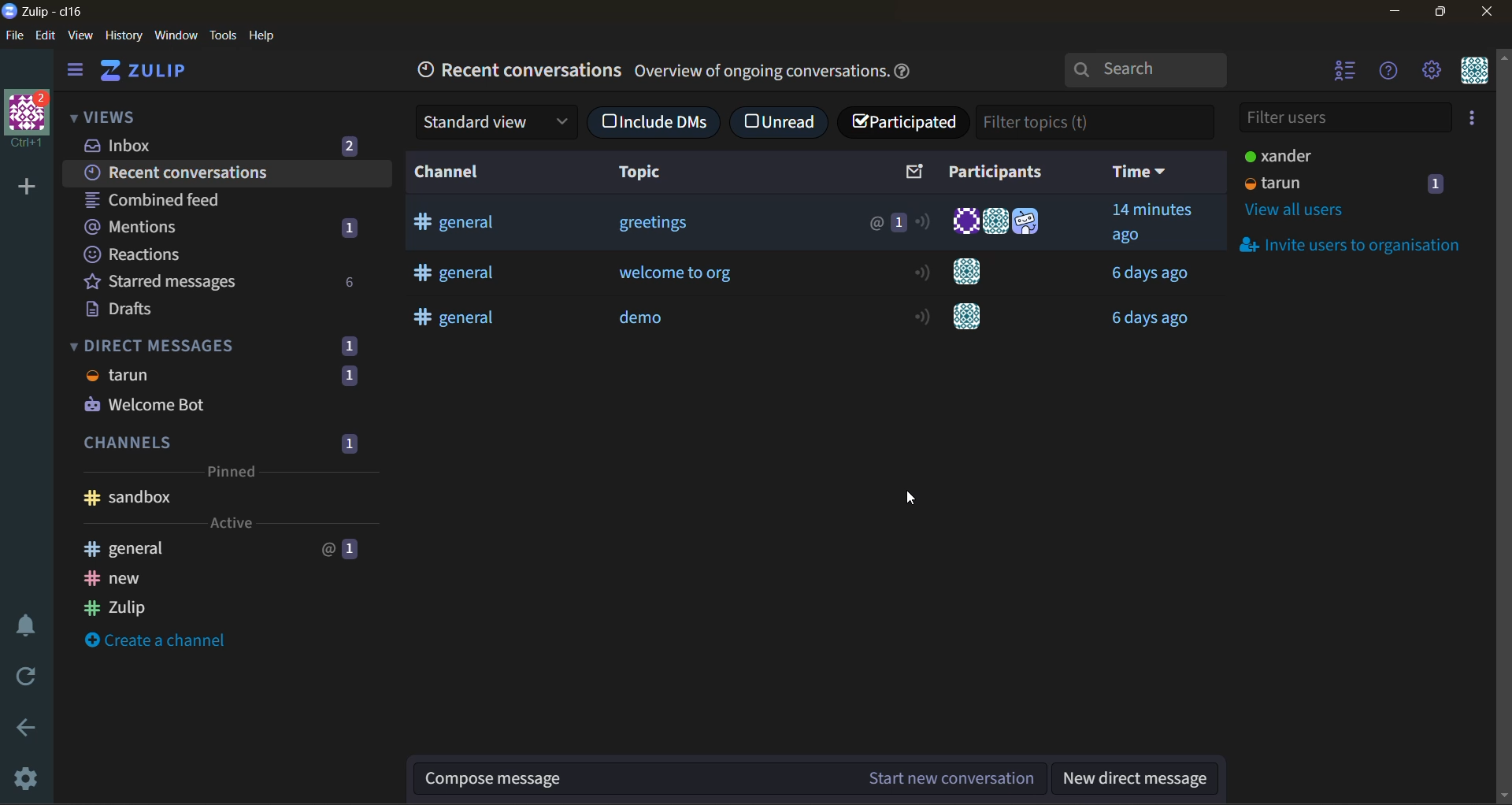 Image resolution: width=1512 pixels, height=805 pixels. Describe the element at coordinates (873, 224) in the screenshot. I see `@` at that location.